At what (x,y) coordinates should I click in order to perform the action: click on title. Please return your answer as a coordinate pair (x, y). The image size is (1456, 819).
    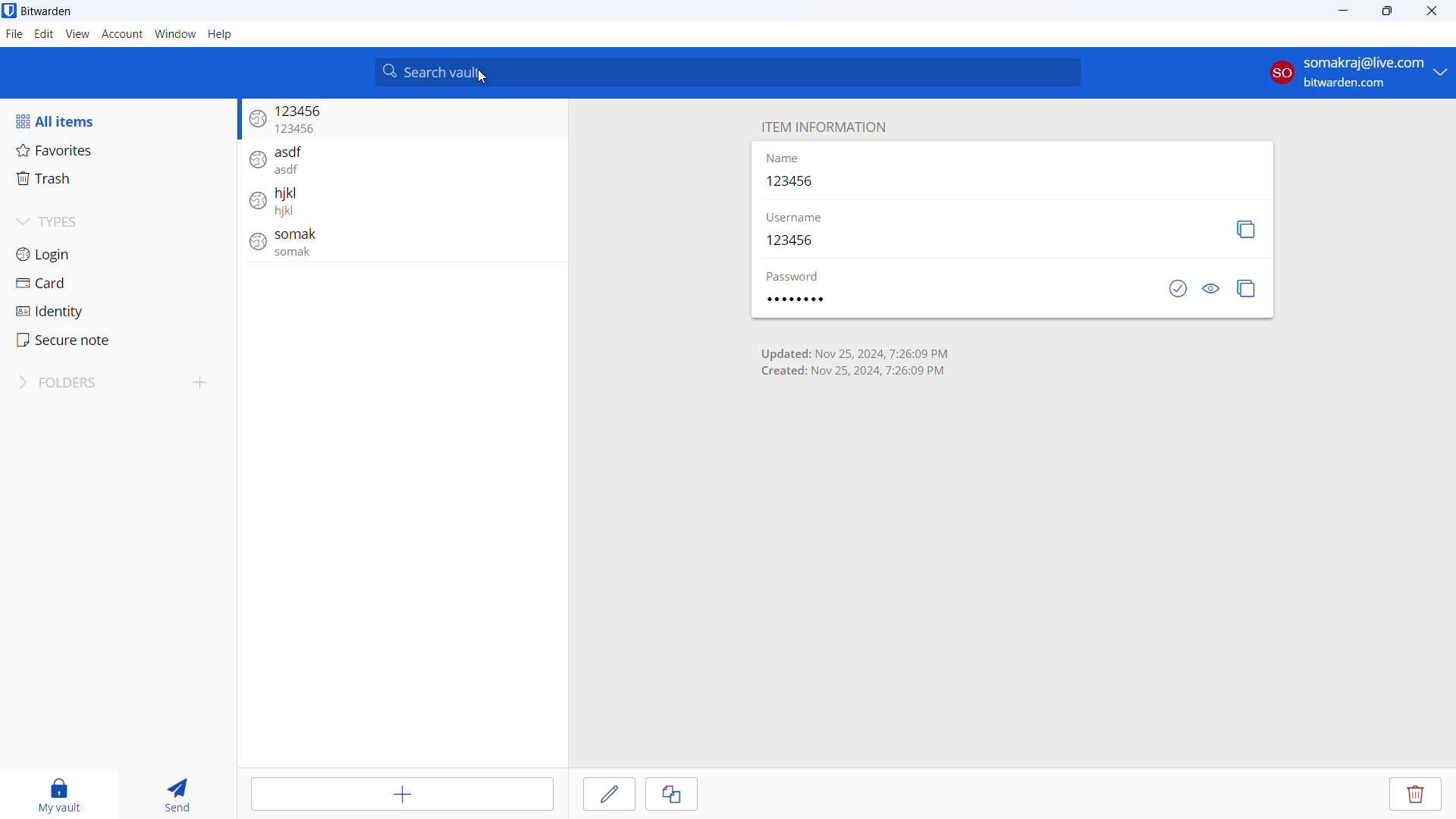
    Looking at the image, I should click on (46, 11).